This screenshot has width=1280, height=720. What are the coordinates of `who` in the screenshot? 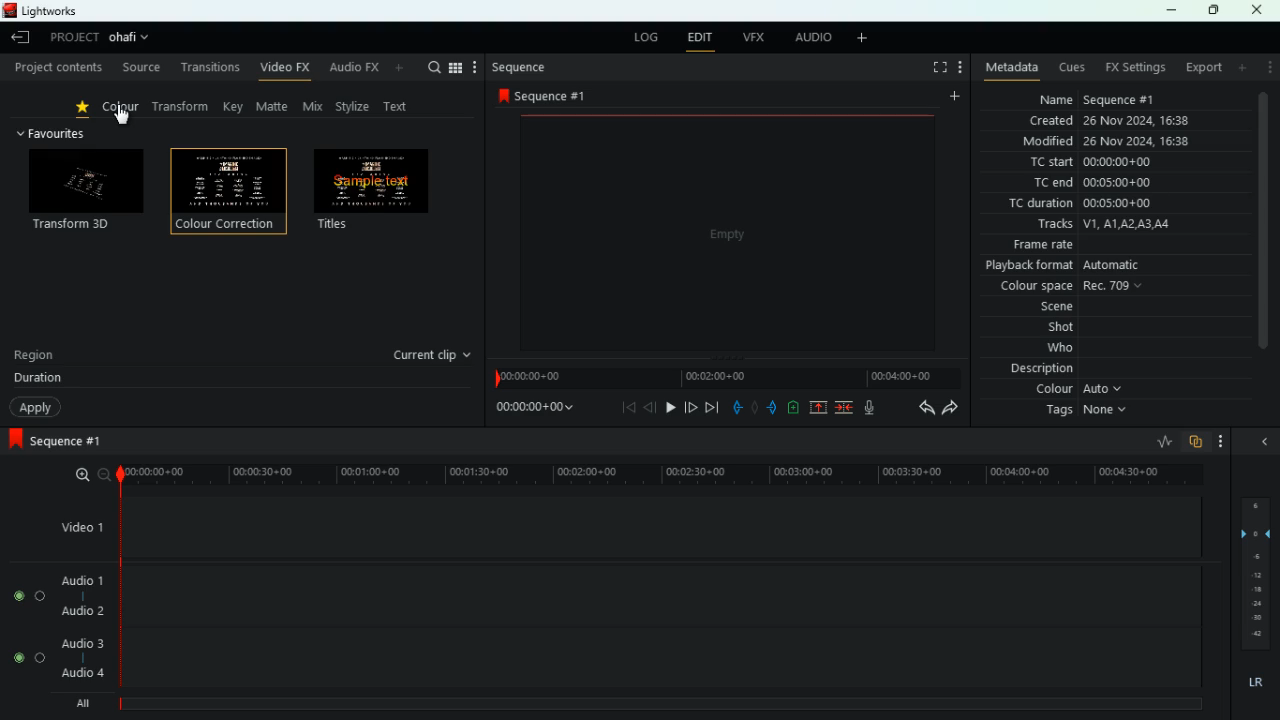 It's located at (1045, 350).